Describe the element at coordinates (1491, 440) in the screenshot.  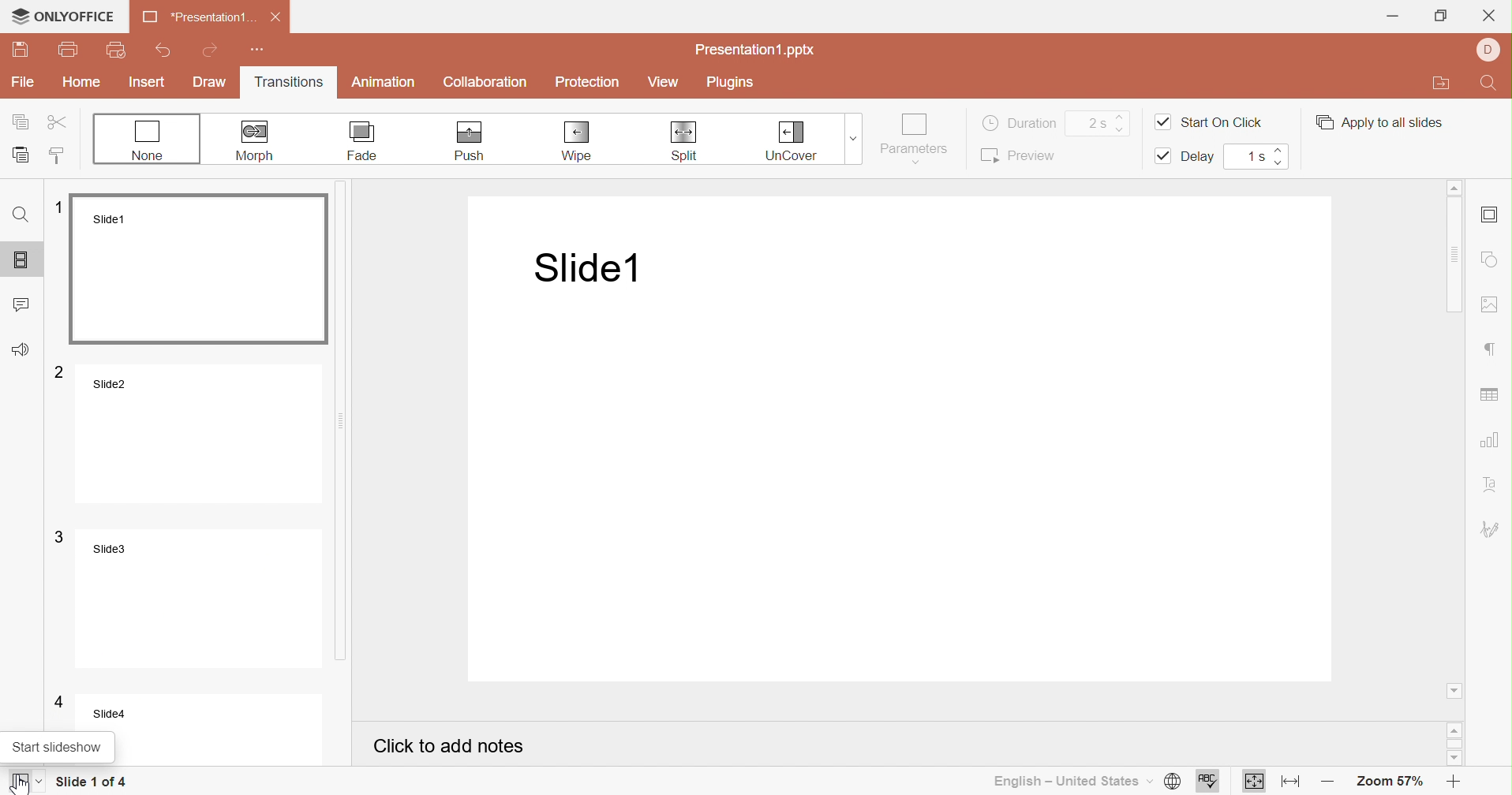
I see `Insert chart` at that location.